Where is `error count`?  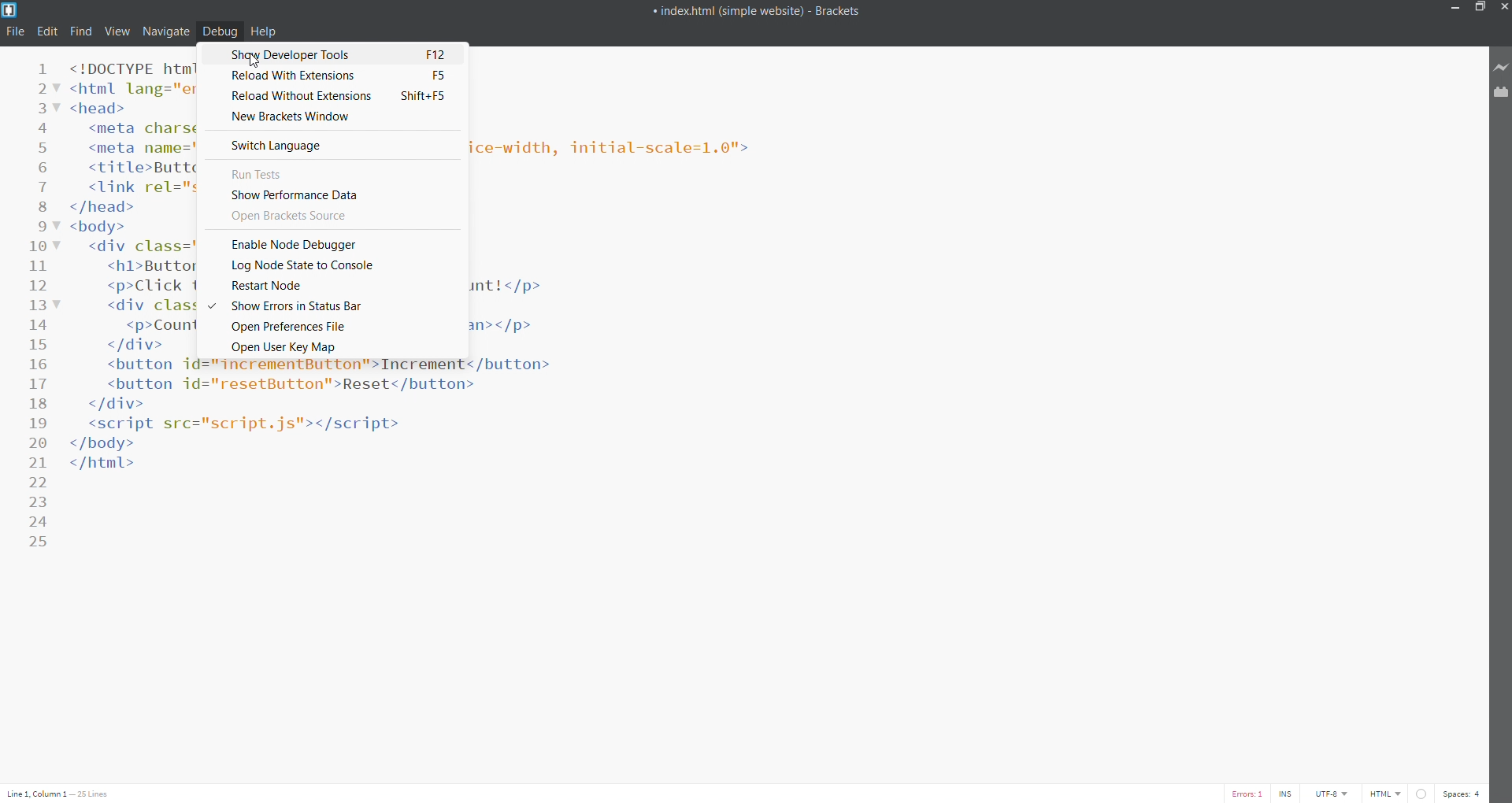 error count is located at coordinates (1240, 794).